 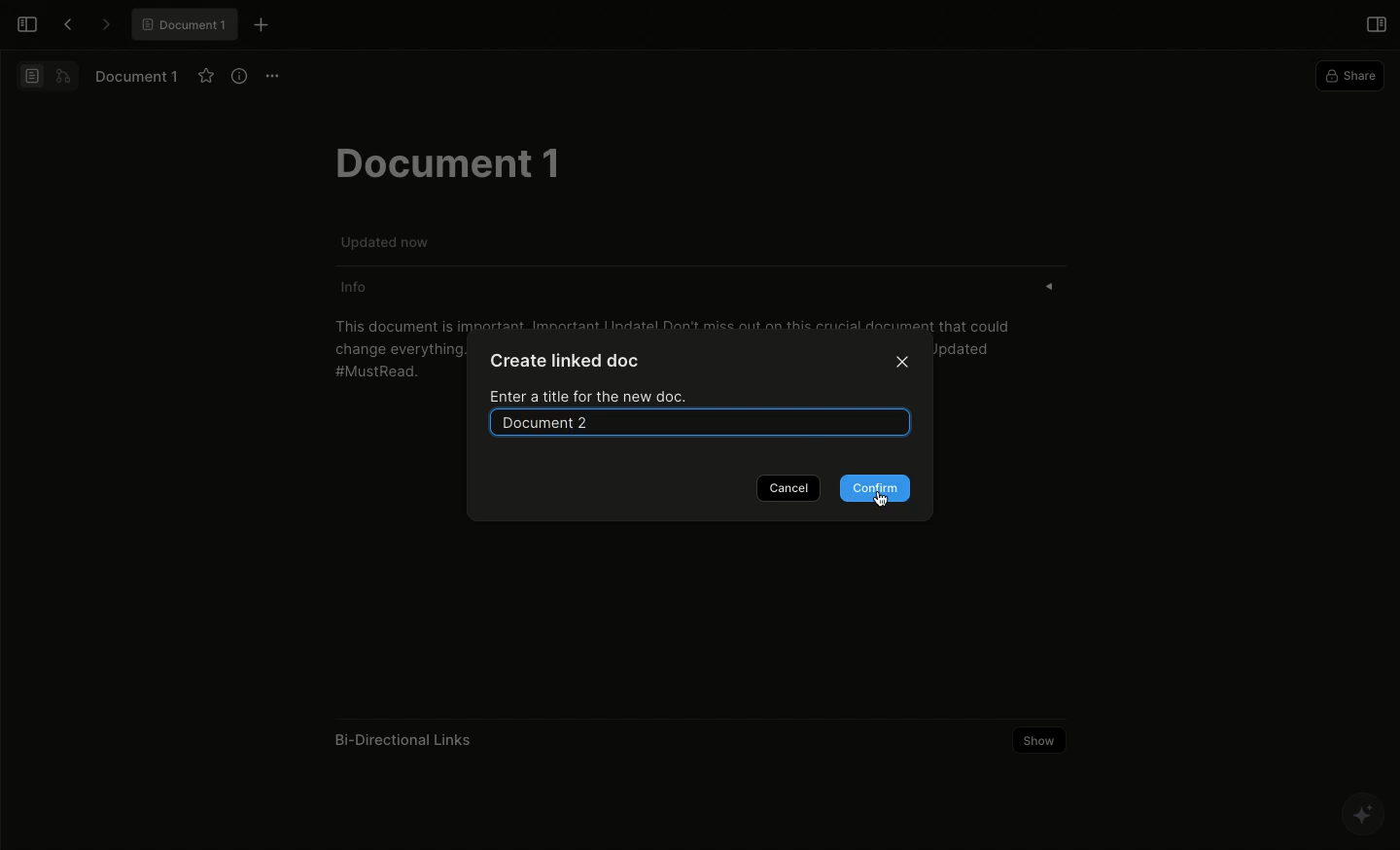 What do you see at coordinates (27, 25) in the screenshot?
I see `Open sidebar` at bounding box center [27, 25].